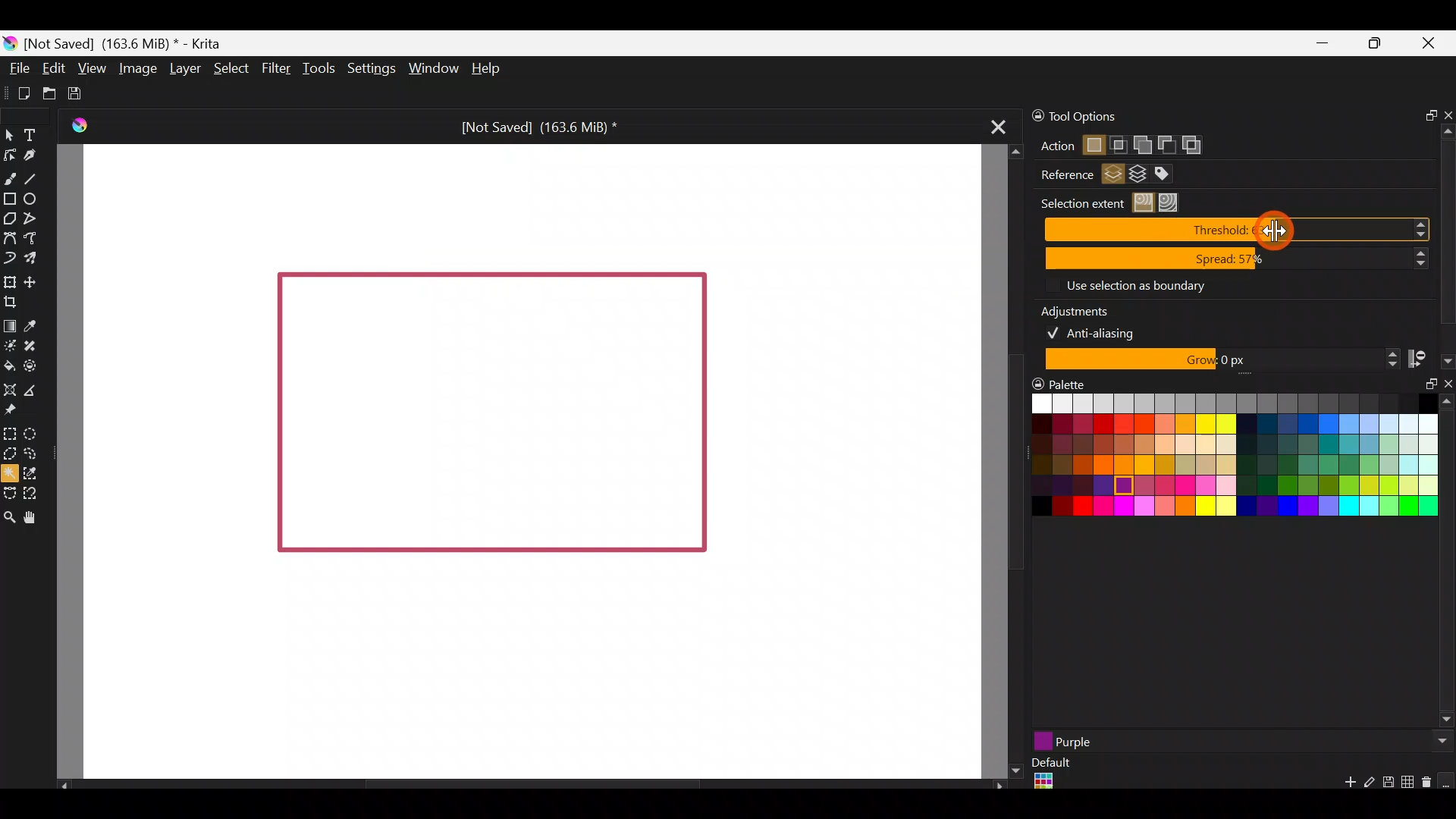 The image size is (1456, 819). What do you see at coordinates (35, 516) in the screenshot?
I see `Pan tool` at bounding box center [35, 516].